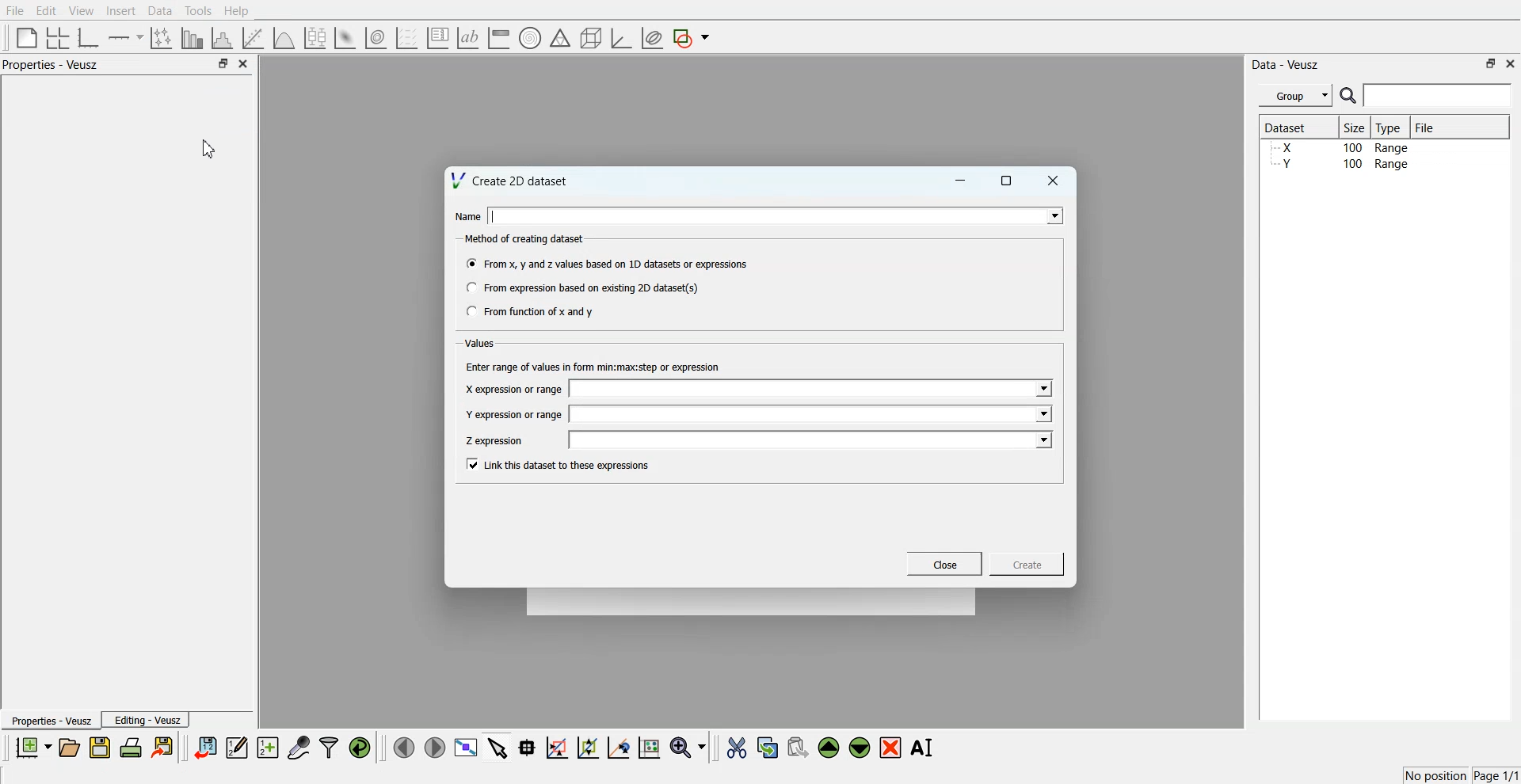 Image resolution: width=1521 pixels, height=784 pixels. I want to click on File, so click(1427, 127).